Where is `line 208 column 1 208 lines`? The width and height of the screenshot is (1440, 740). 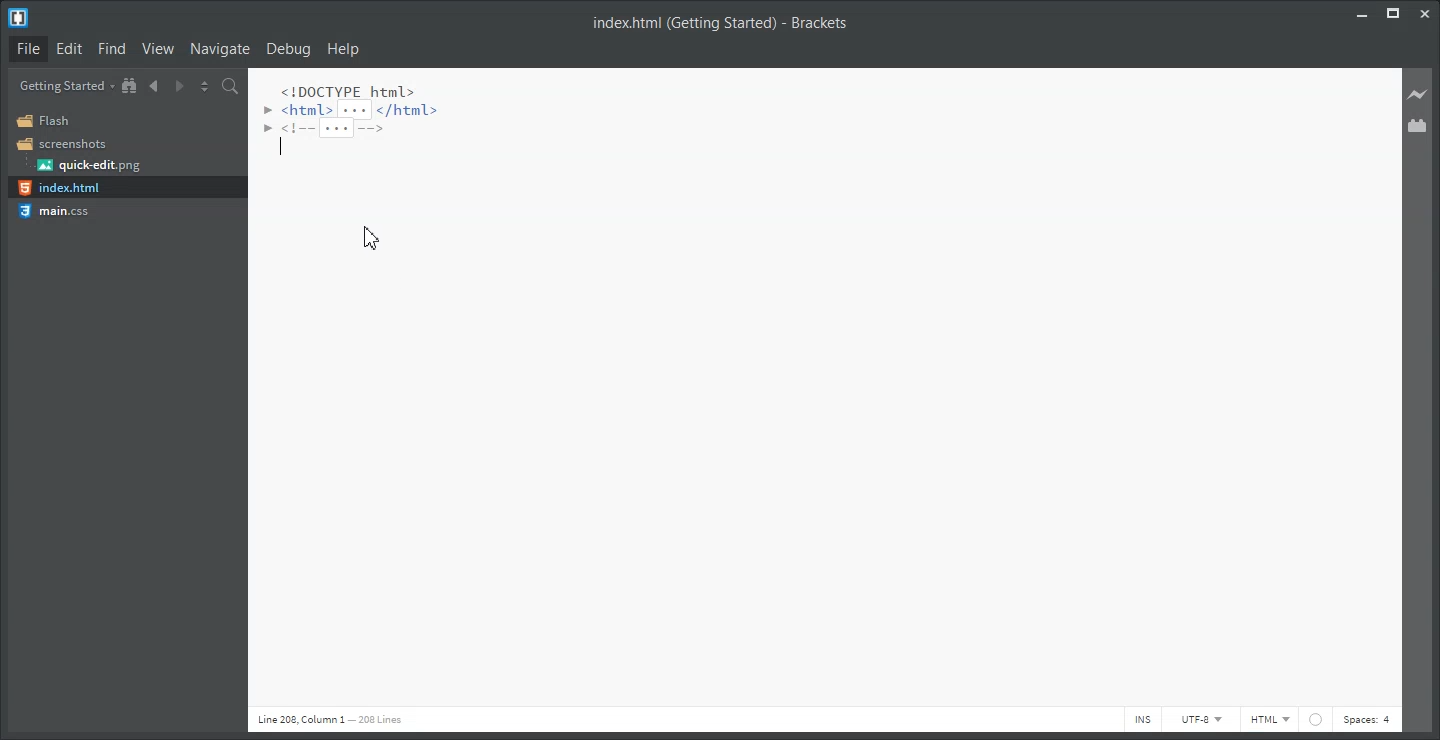 line 208 column 1 208 lines is located at coordinates (332, 719).